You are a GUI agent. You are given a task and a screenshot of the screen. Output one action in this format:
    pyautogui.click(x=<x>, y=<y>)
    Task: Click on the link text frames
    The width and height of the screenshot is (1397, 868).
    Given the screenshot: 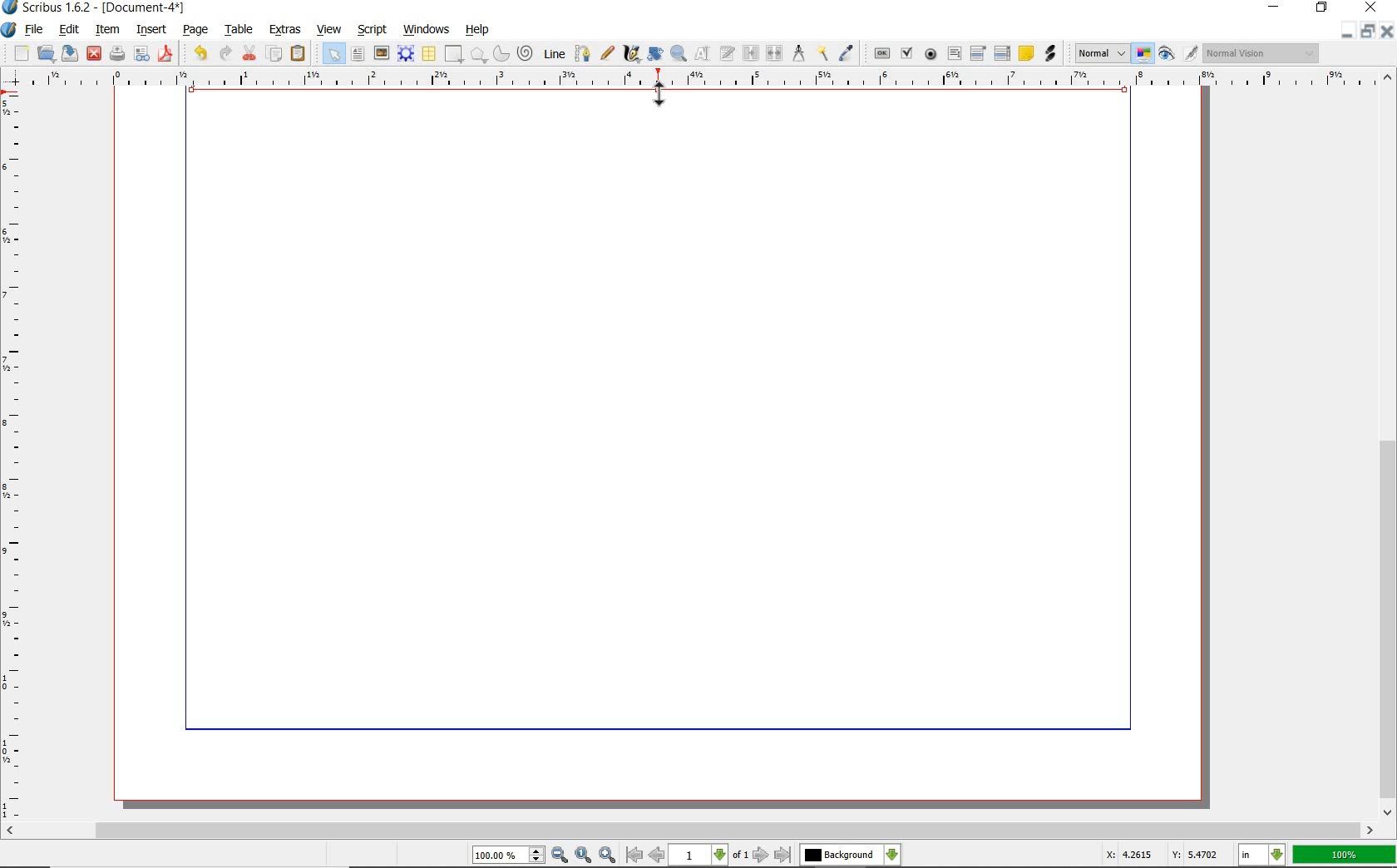 What is the action you would take?
    pyautogui.click(x=748, y=52)
    